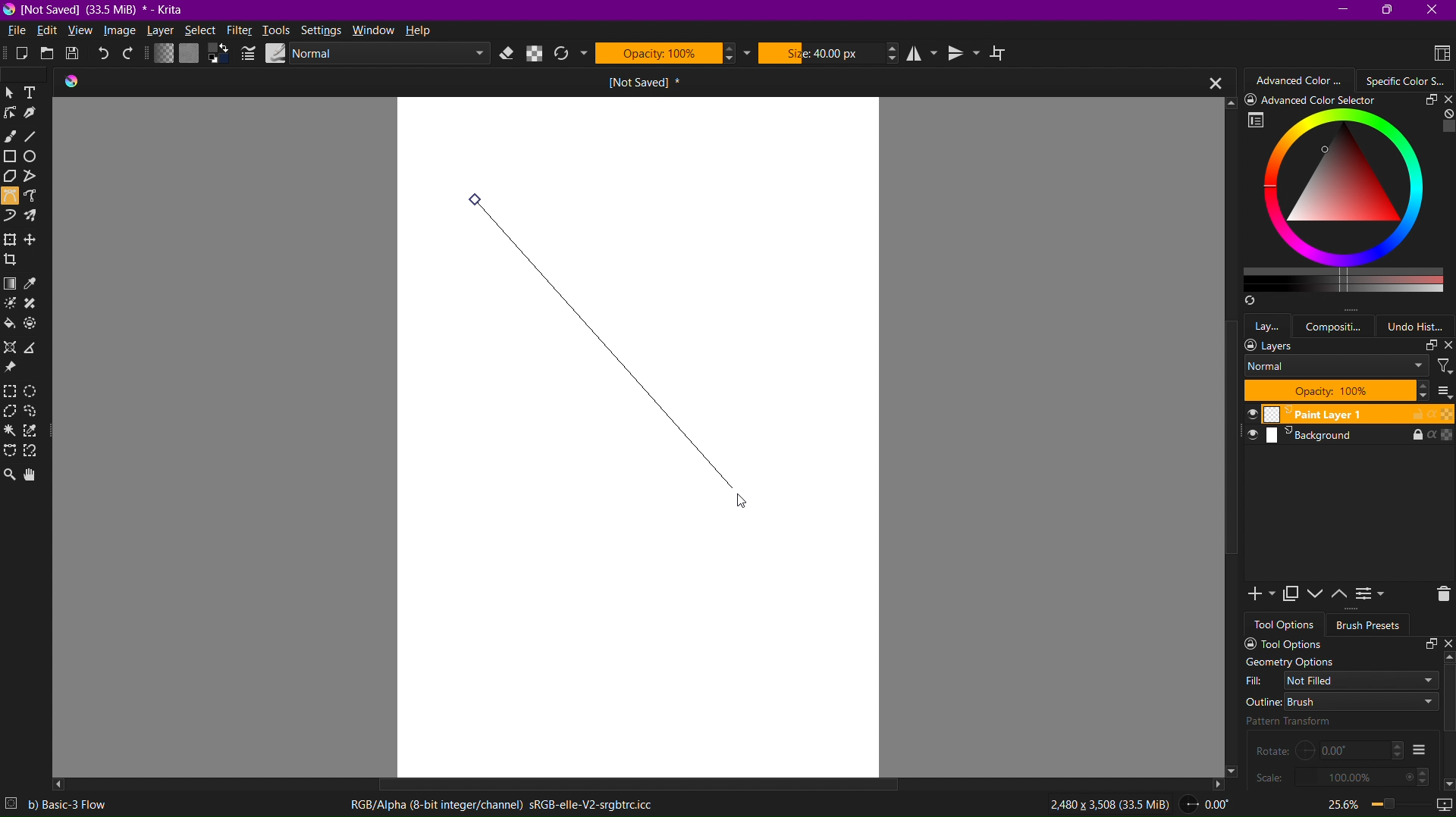 The image size is (1456, 817). What do you see at coordinates (1336, 367) in the screenshot?
I see `Layer Mode` at bounding box center [1336, 367].